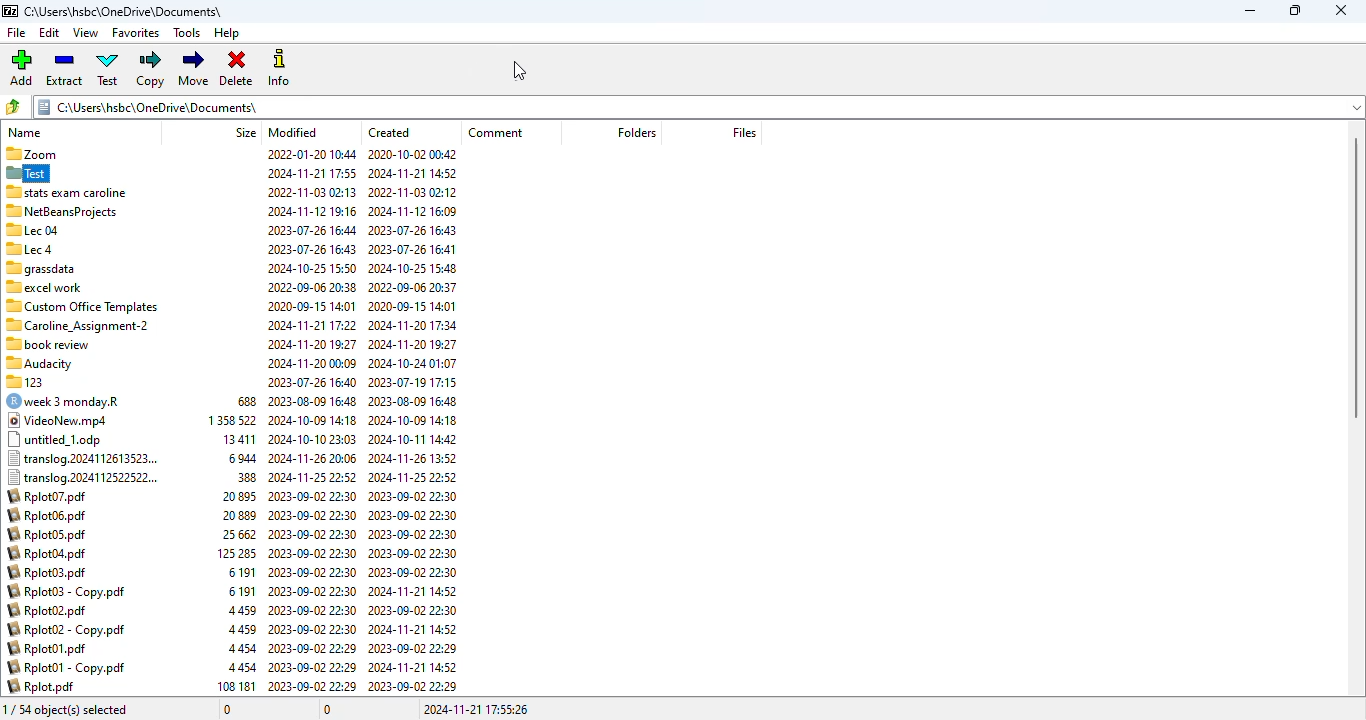  I want to click on collapse, so click(1351, 108).